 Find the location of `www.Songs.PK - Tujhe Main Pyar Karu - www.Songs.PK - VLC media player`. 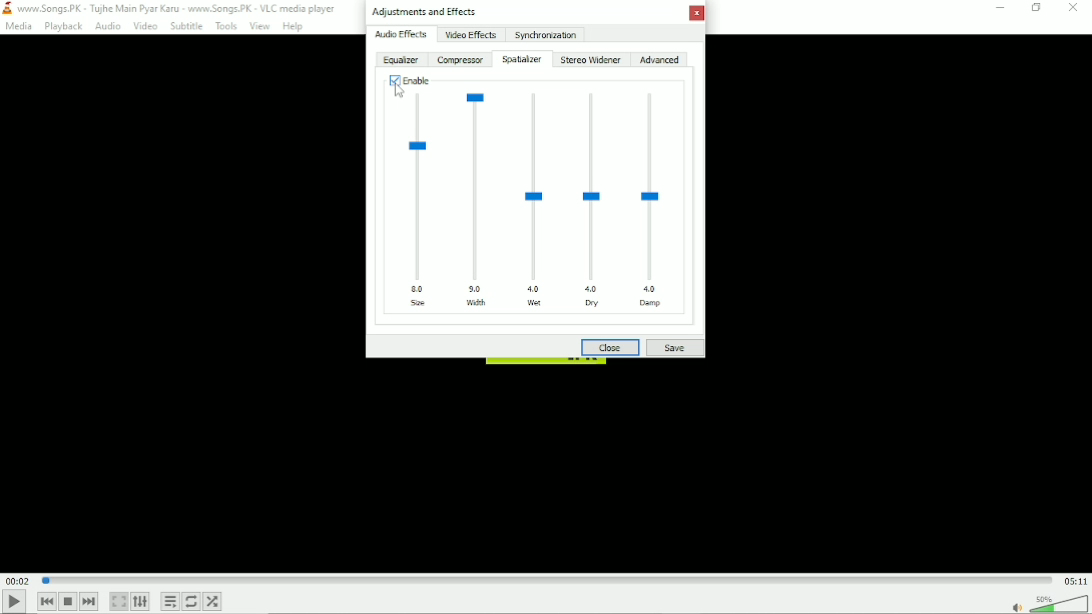

www.Songs.PK - Tujhe Main Pyar Karu - www.Songs.PK - VLC media player is located at coordinates (174, 8).